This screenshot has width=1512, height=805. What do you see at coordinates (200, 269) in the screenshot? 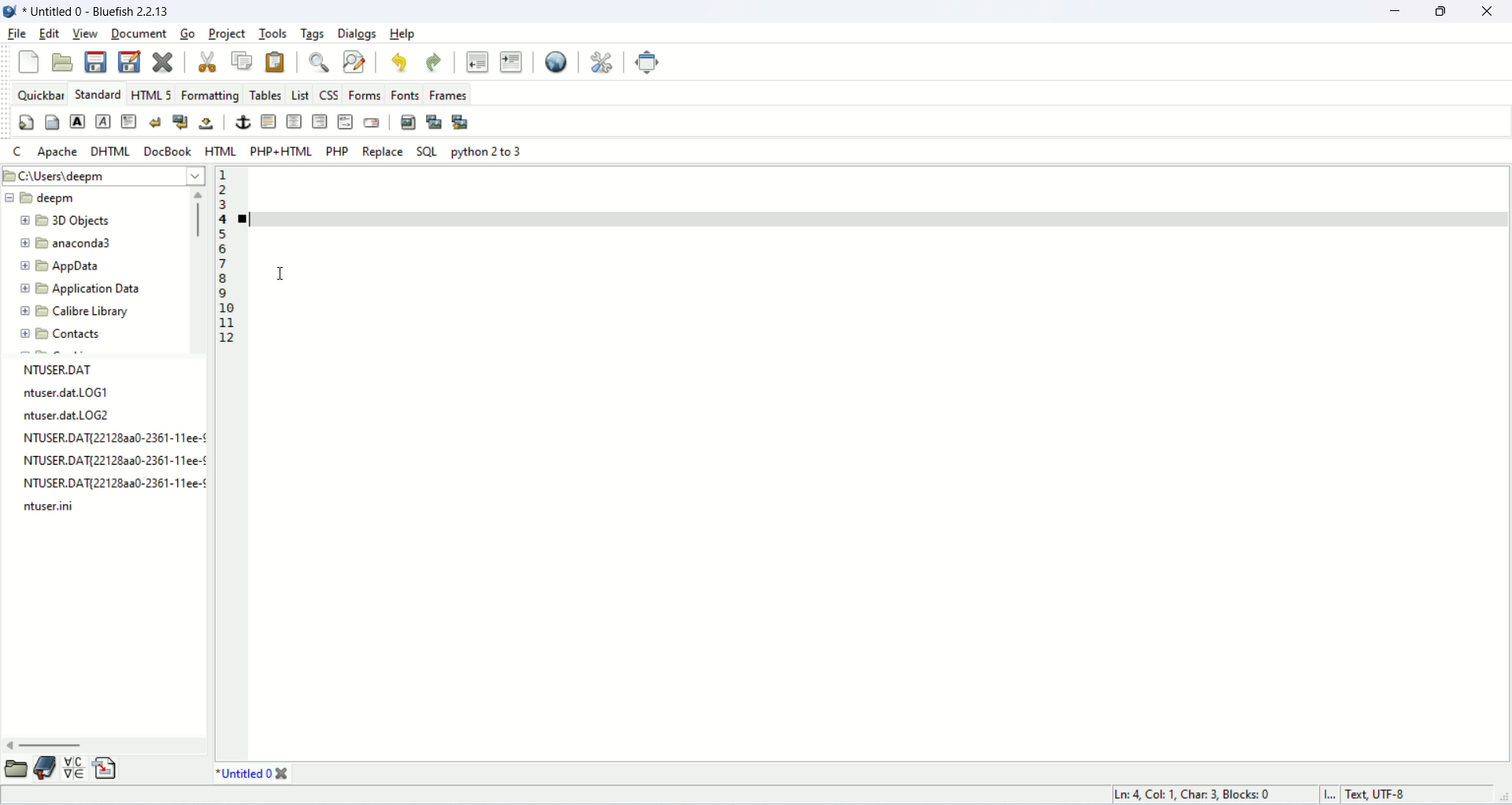
I see `scroll bar` at bounding box center [200, 269].